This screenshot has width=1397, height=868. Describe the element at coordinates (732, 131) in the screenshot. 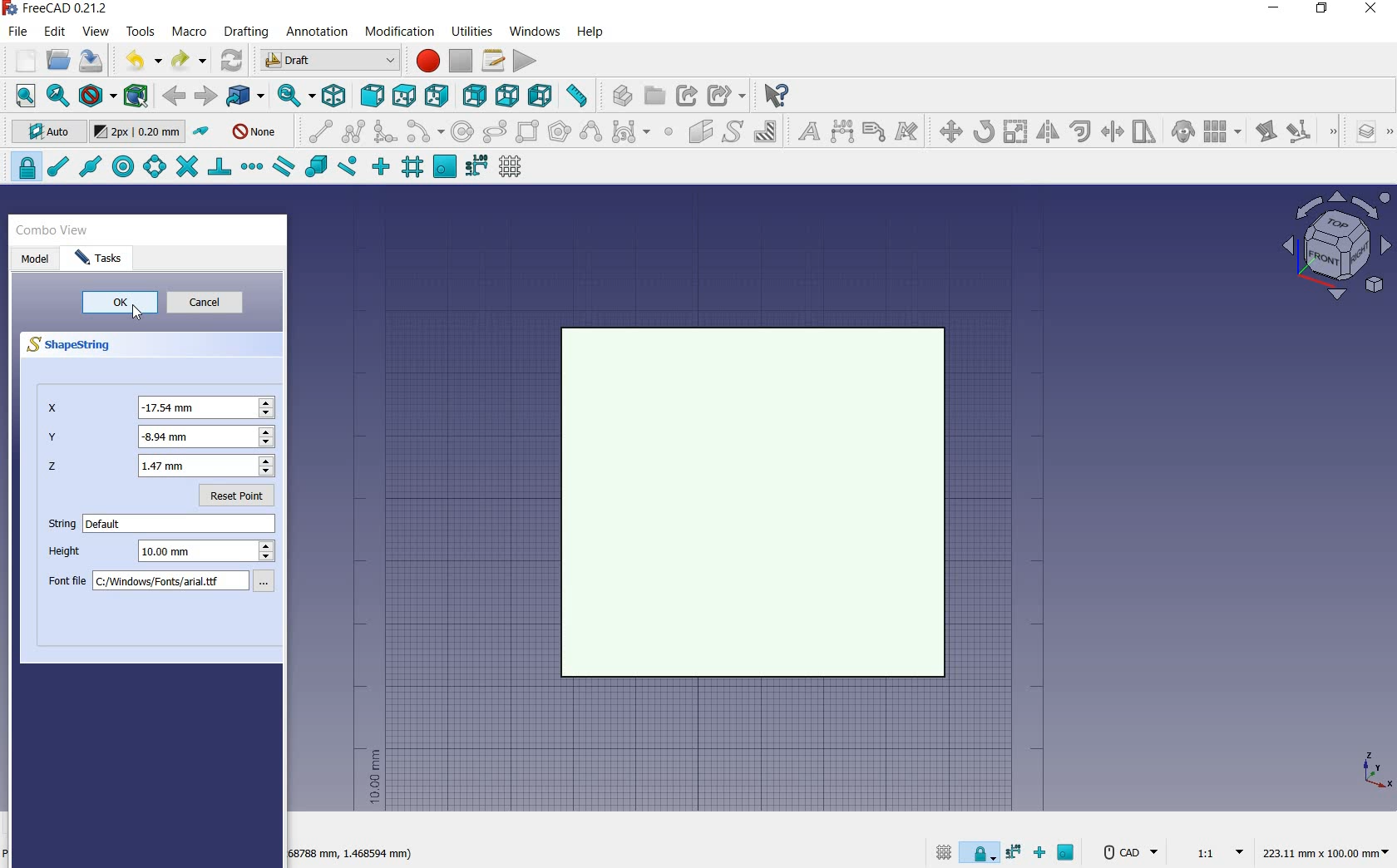

I see `shape from text` at that location.